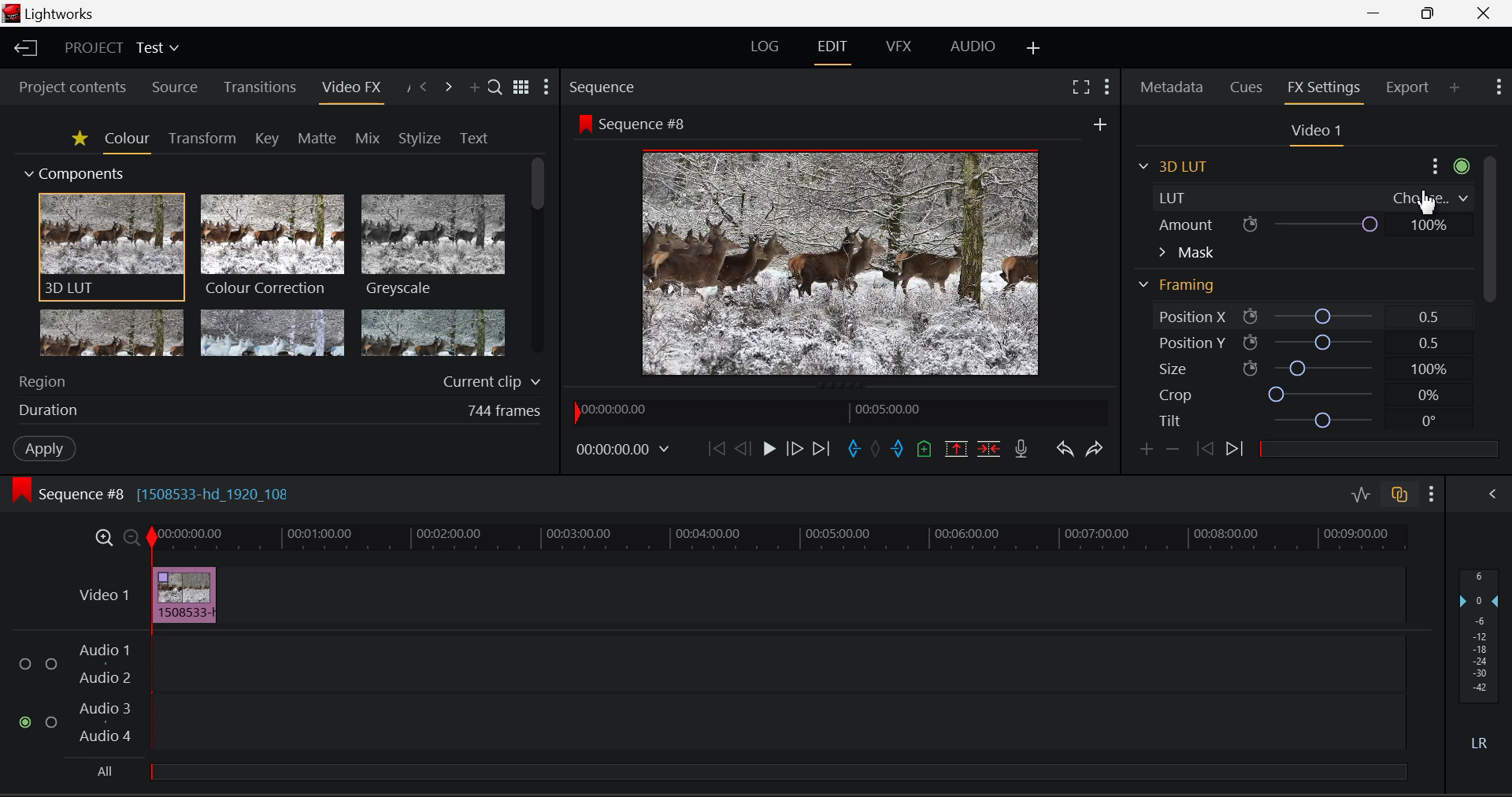 This screenshot has height=797, width=1512. Describe the element at coordinates (22, 48) in the screenshot. I see `Back to Homepage` at that location.